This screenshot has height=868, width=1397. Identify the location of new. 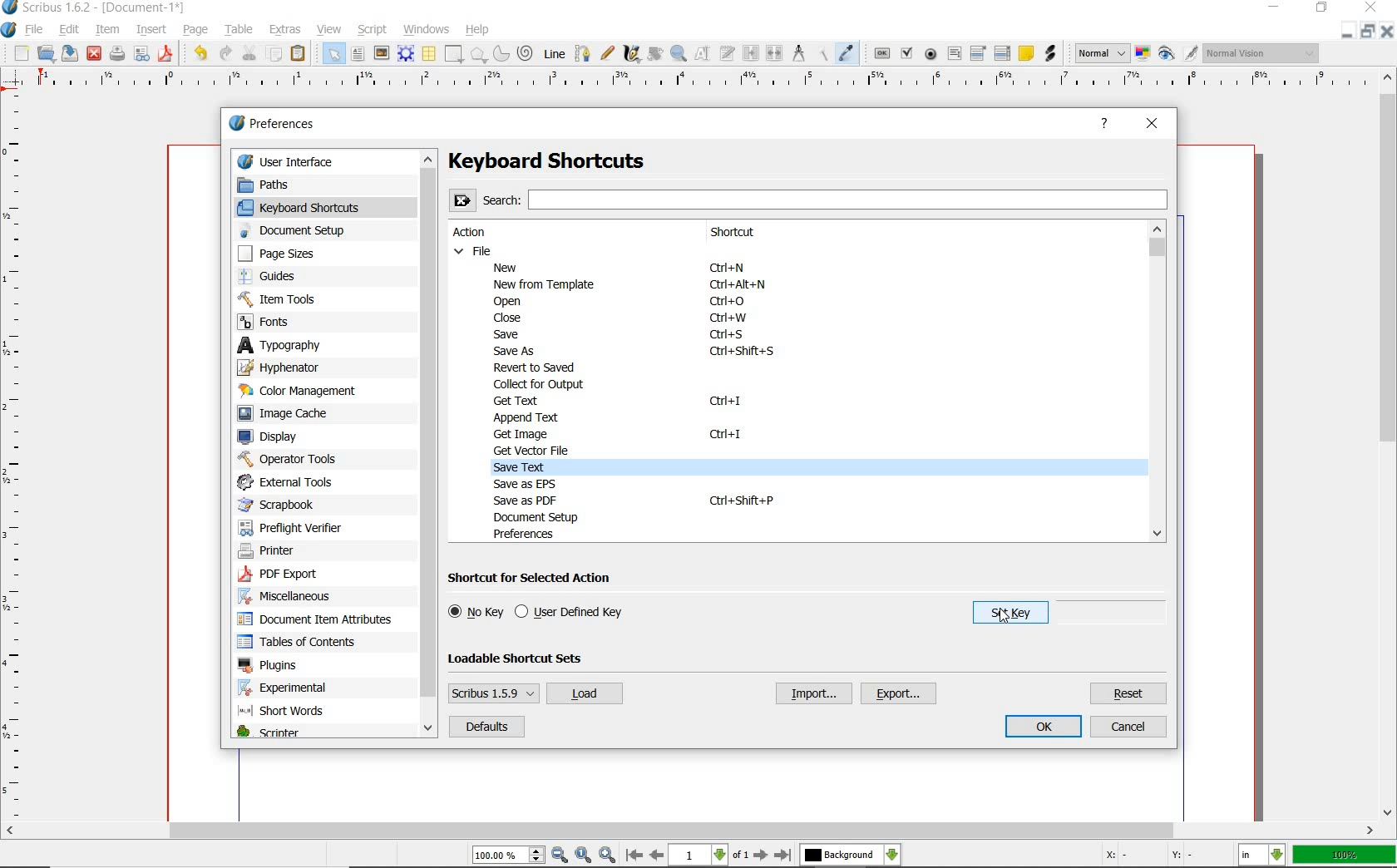
(21, 54).